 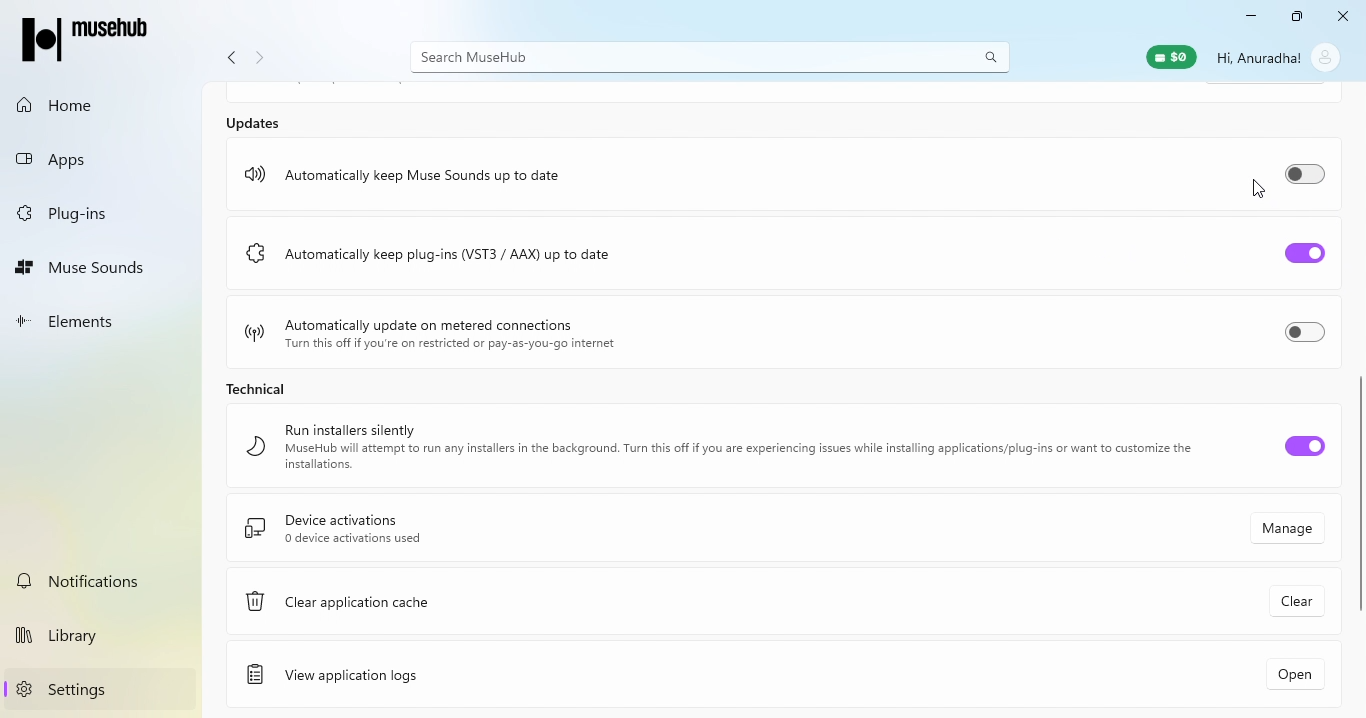 I want to click on Clear application cache, so click(x=462, y=607).